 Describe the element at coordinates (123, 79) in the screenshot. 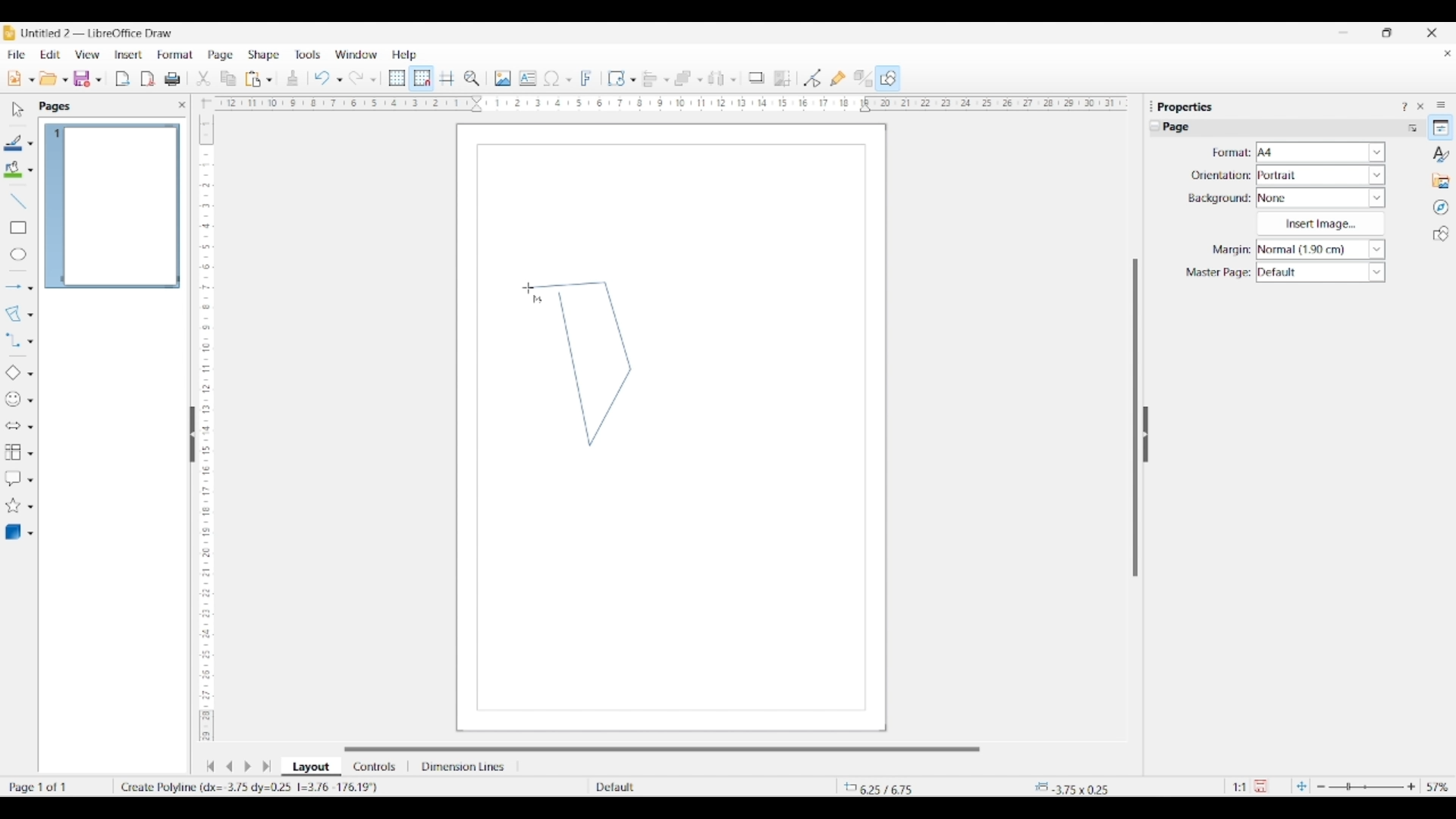

I see `Export` at that location.